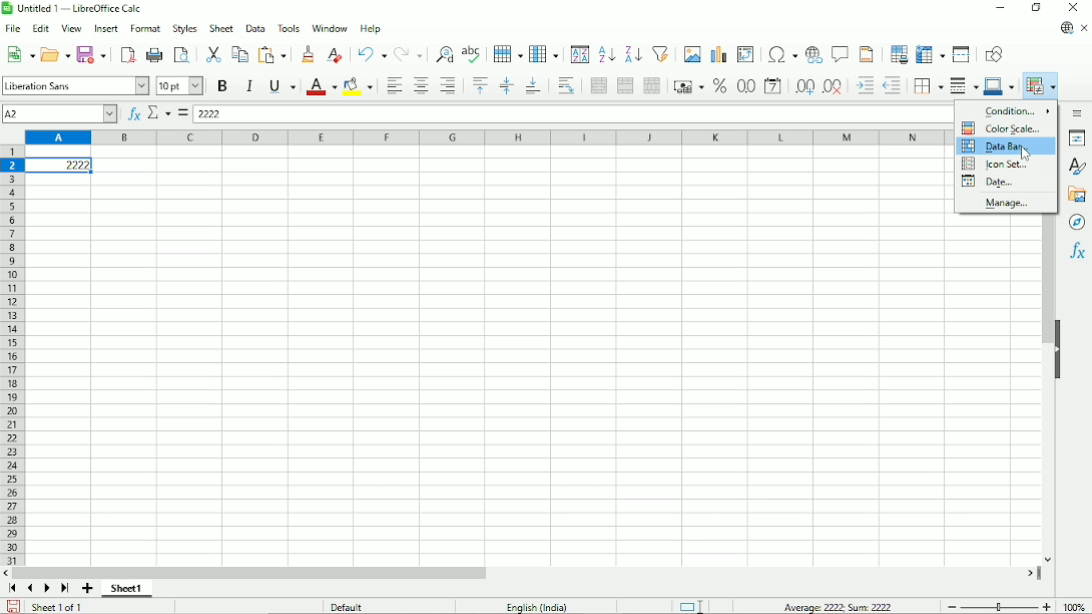 The width and height of the screenshot is (1092, 614). Describe the element at coordinates (999, 128) in the screenshot. I see `Color scale` at that location.